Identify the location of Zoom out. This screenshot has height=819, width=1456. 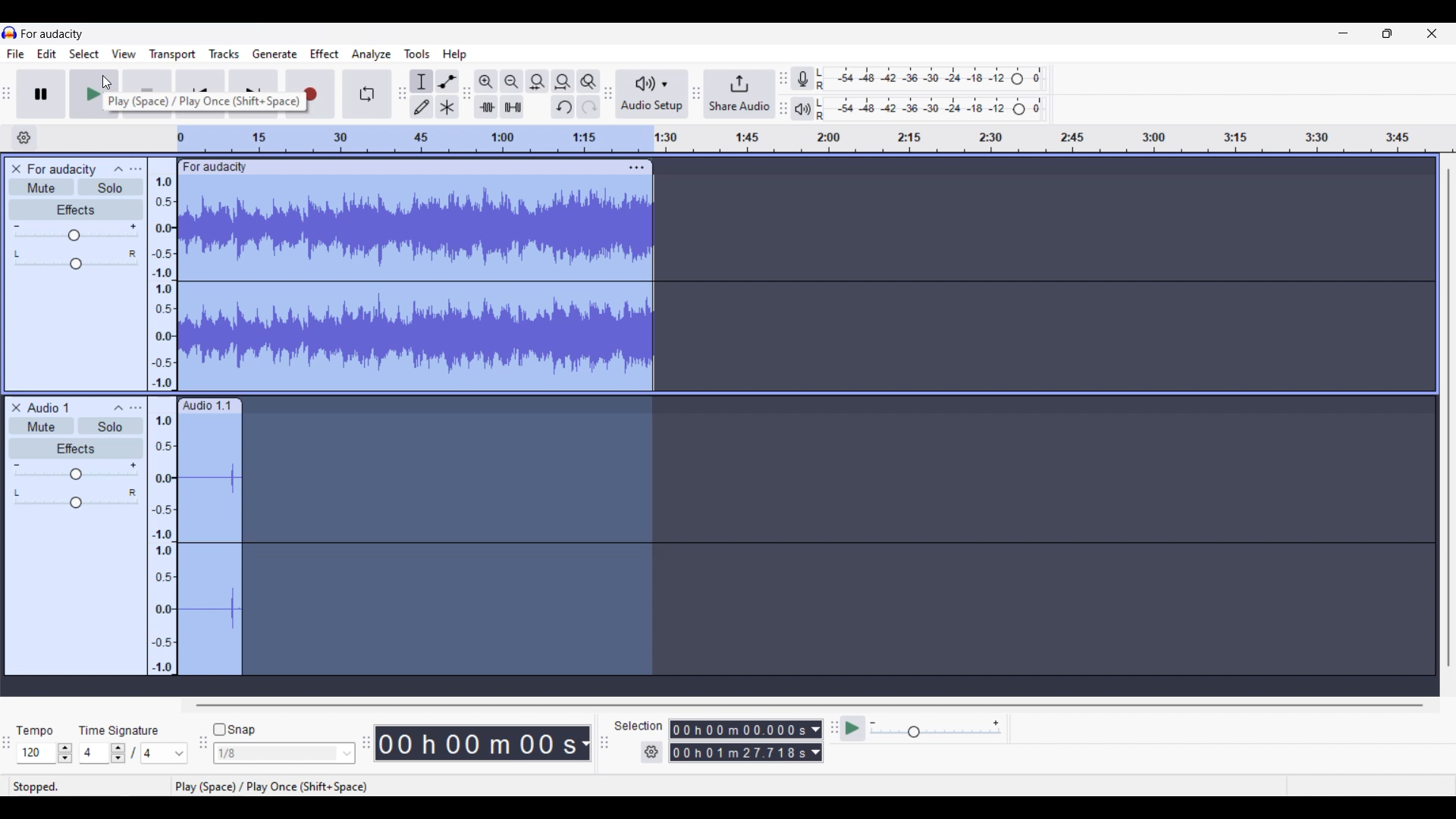
(511, 82).